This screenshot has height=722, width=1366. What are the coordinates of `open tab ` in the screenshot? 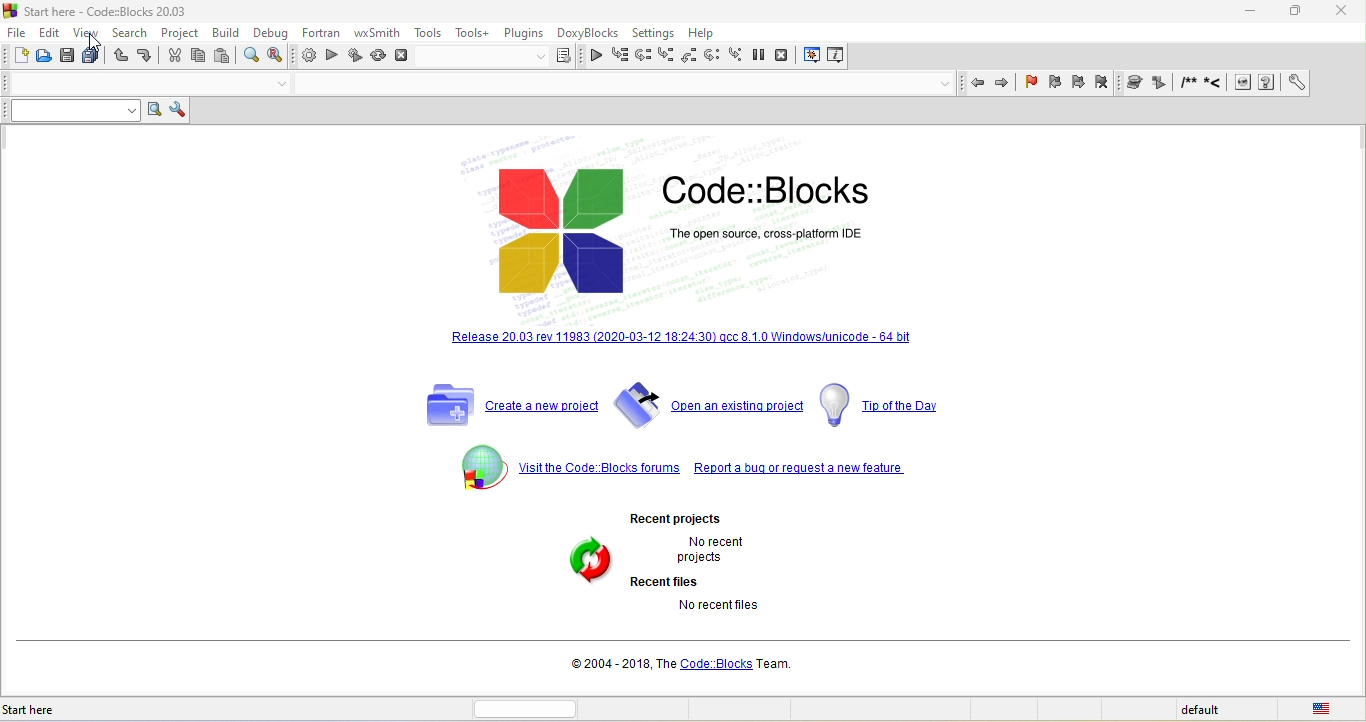 It's located at (620, 86).